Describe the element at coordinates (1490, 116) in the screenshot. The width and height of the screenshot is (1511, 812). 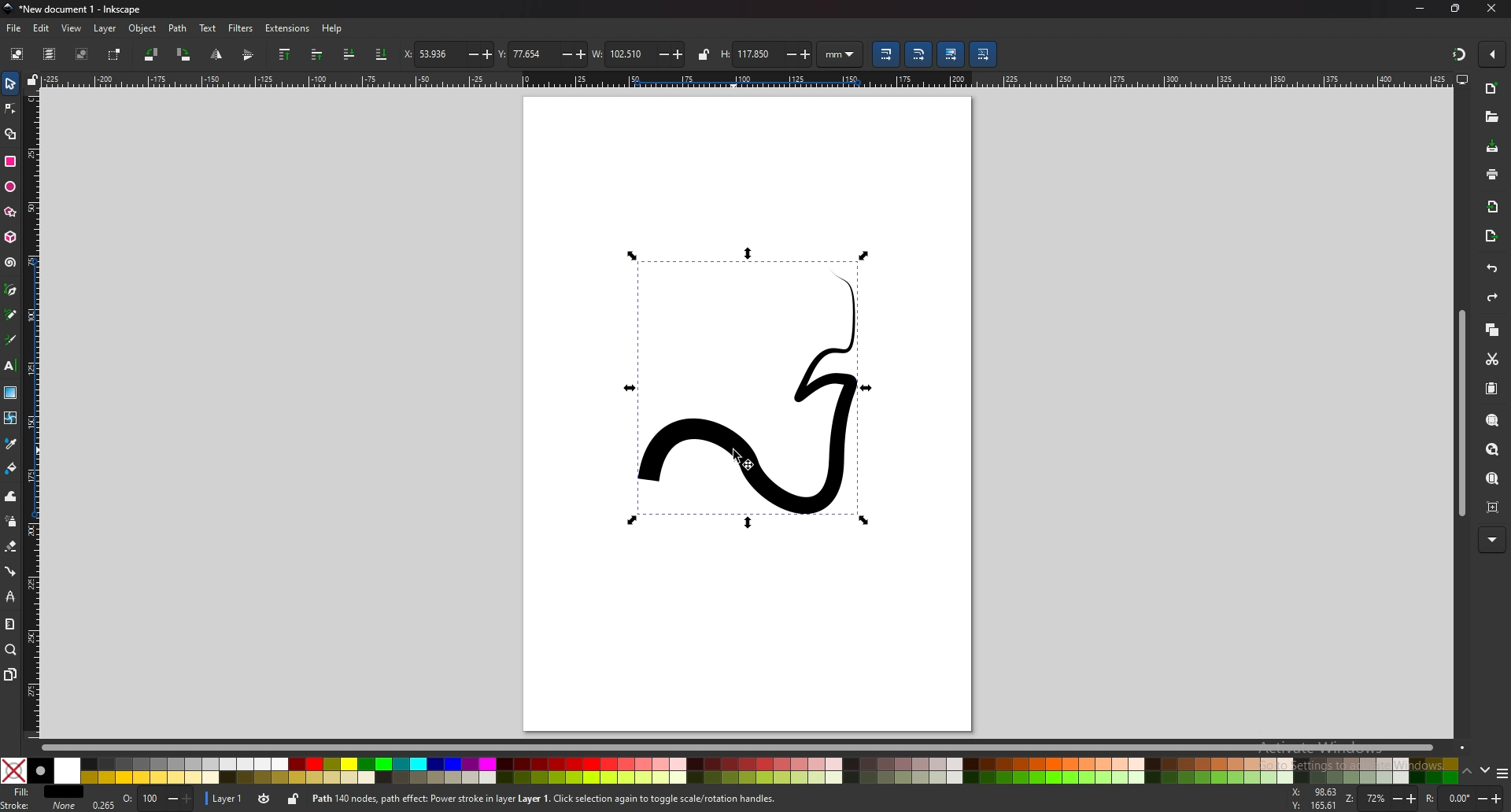
I see `open` at that location.